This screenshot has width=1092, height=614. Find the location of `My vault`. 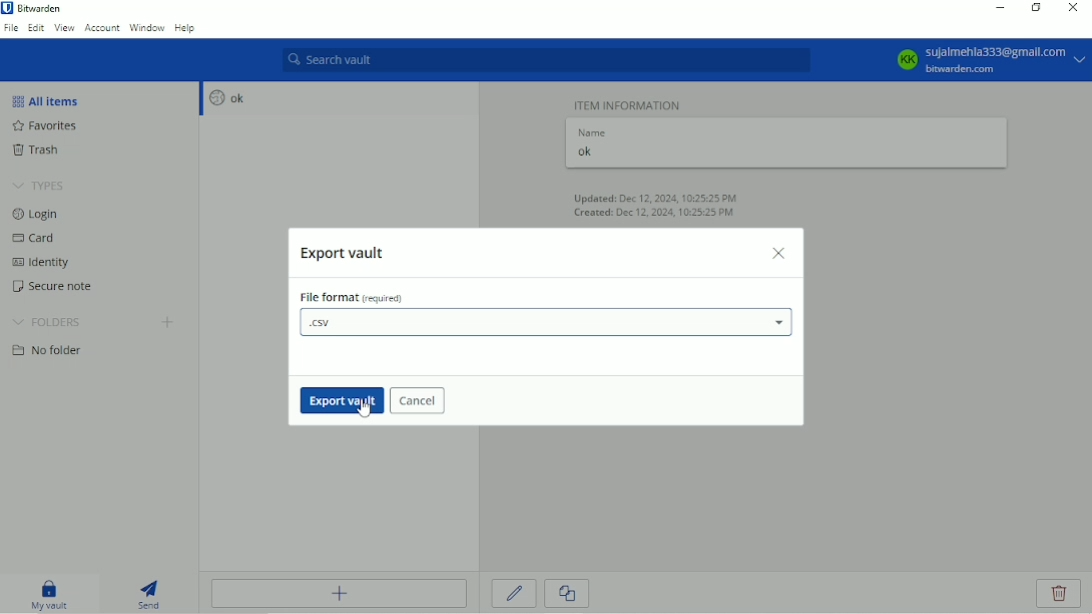

My vault is located at coordinates (49, 593).